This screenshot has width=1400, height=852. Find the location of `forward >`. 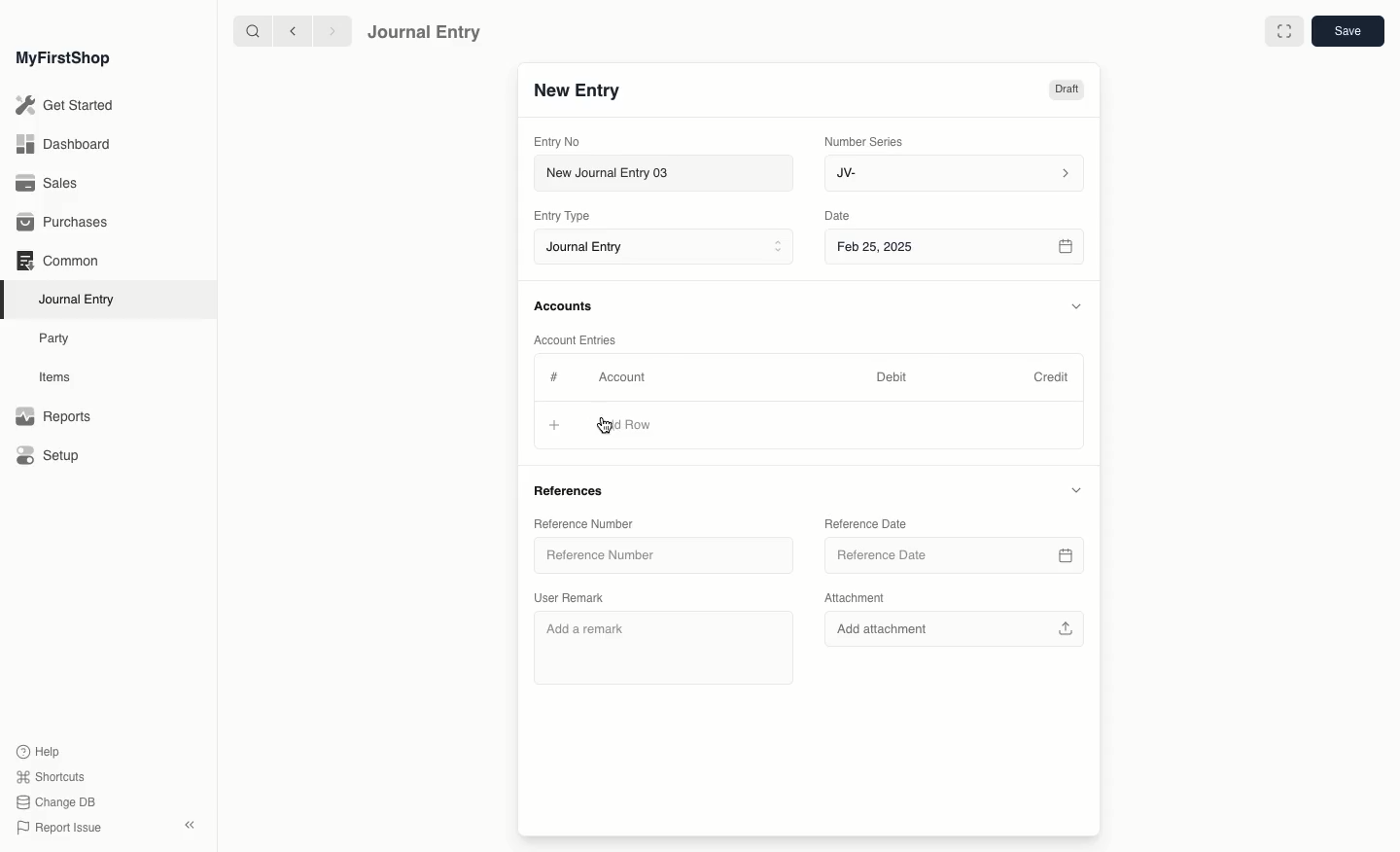

forward > is located at coordinates (328, 30).